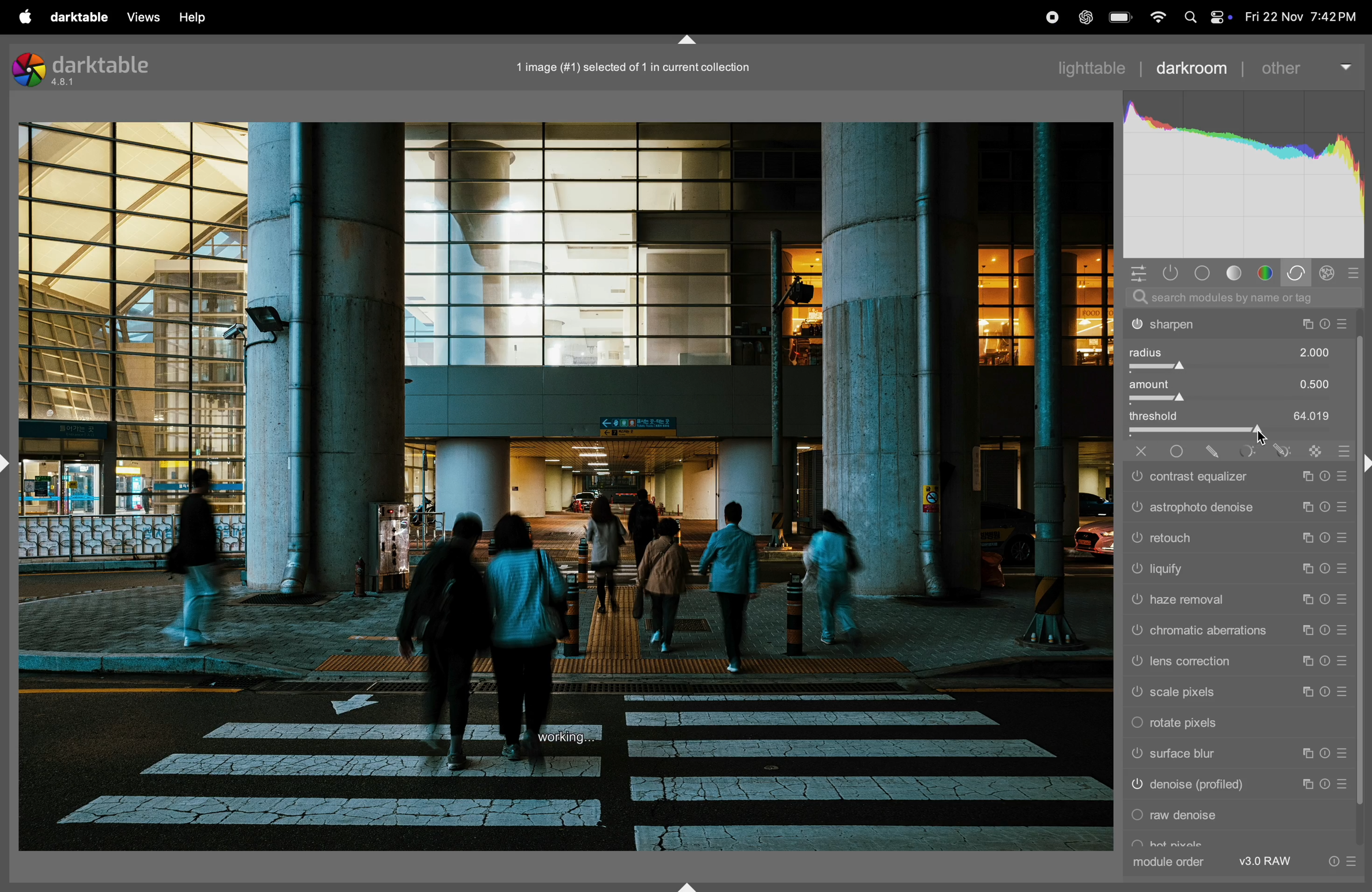  I want to click on chatgpt, so click(1084, 17).